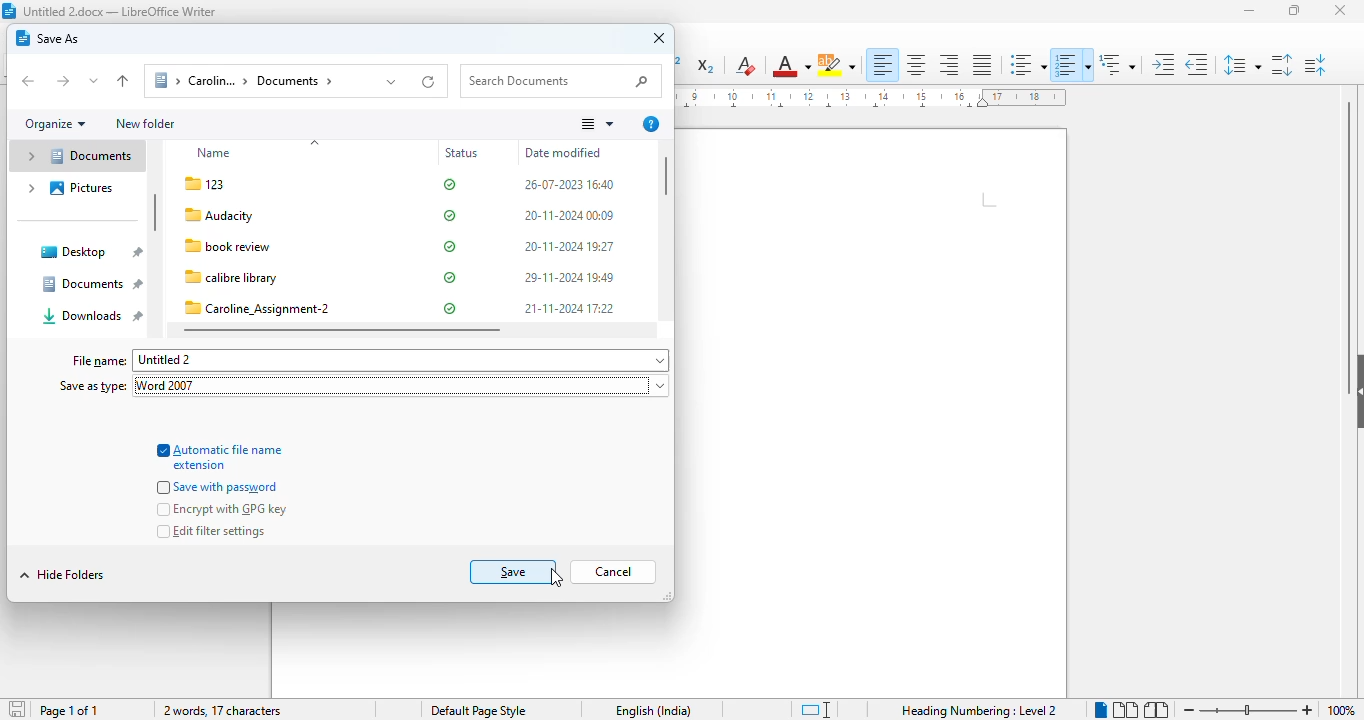  What do you see at coordinates (69, 711) in the screenshot?
I see `page 1 of 1` at bounding box center [69, 711].